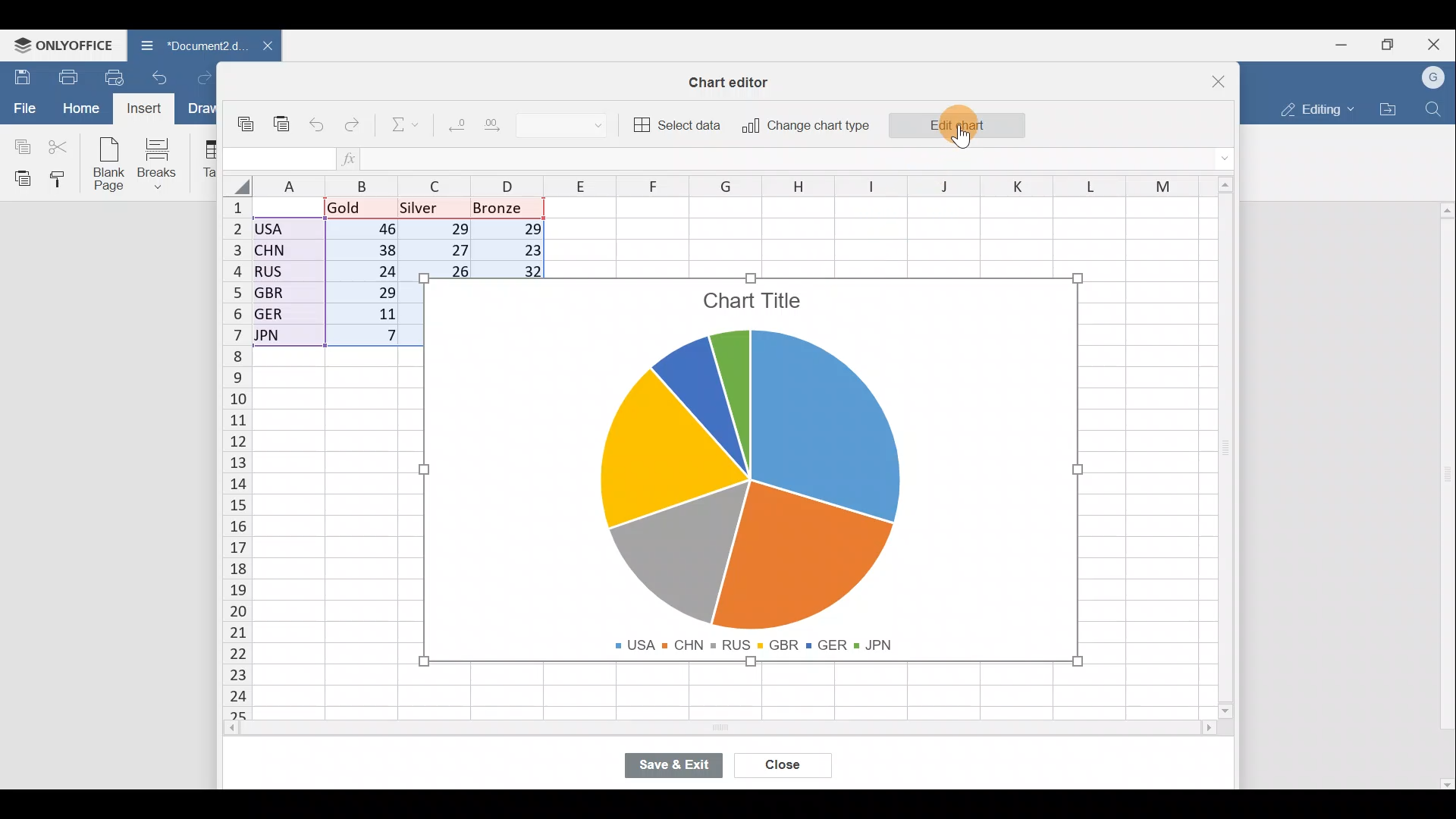 This screenshot has height=819, width=1456. What do you see at coordinates (61, 45) in the screenshot?
I see `ONLYOFFICE Menu` at bounding box center [61, 45].